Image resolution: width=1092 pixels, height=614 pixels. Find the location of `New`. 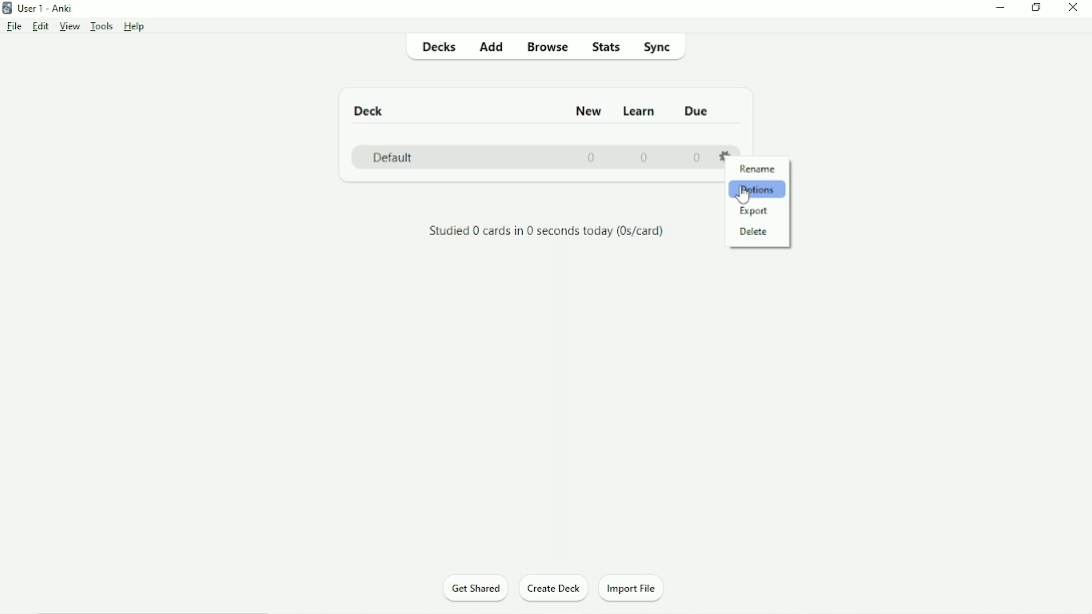

New is located at coordinates (588, 111).